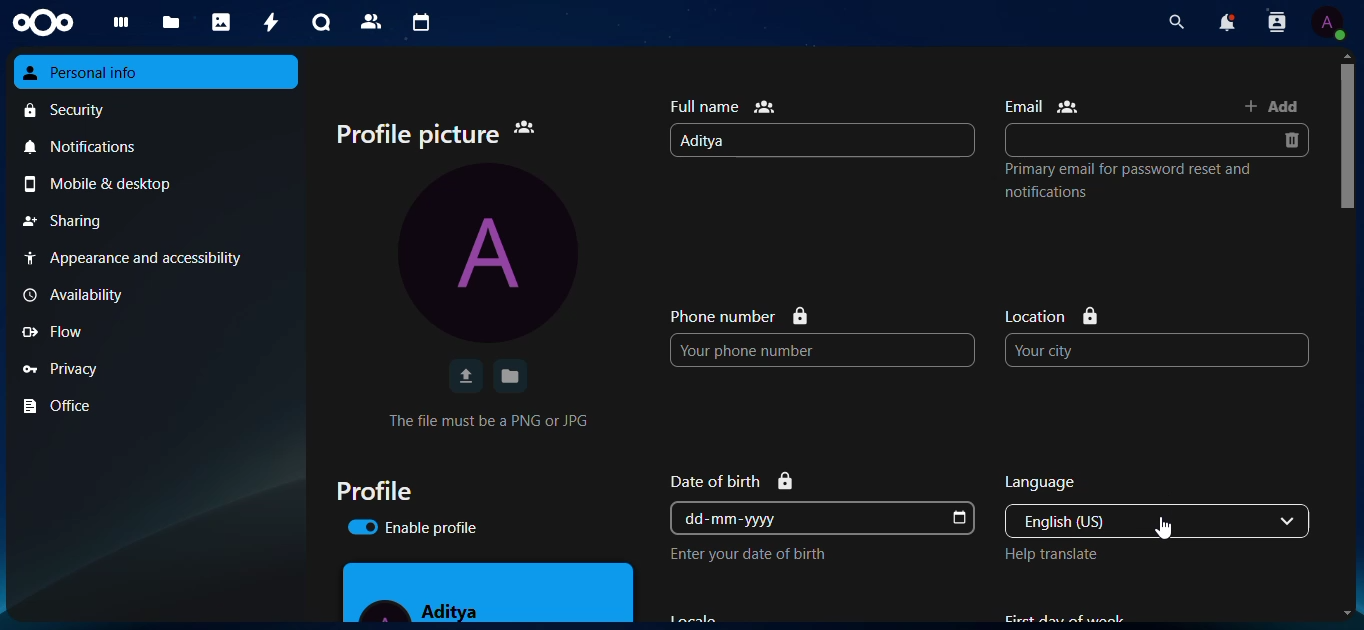  What do you see at coordinates (62, 332) in the screenshot?
I see `flow` at bounding box center [62, 332].